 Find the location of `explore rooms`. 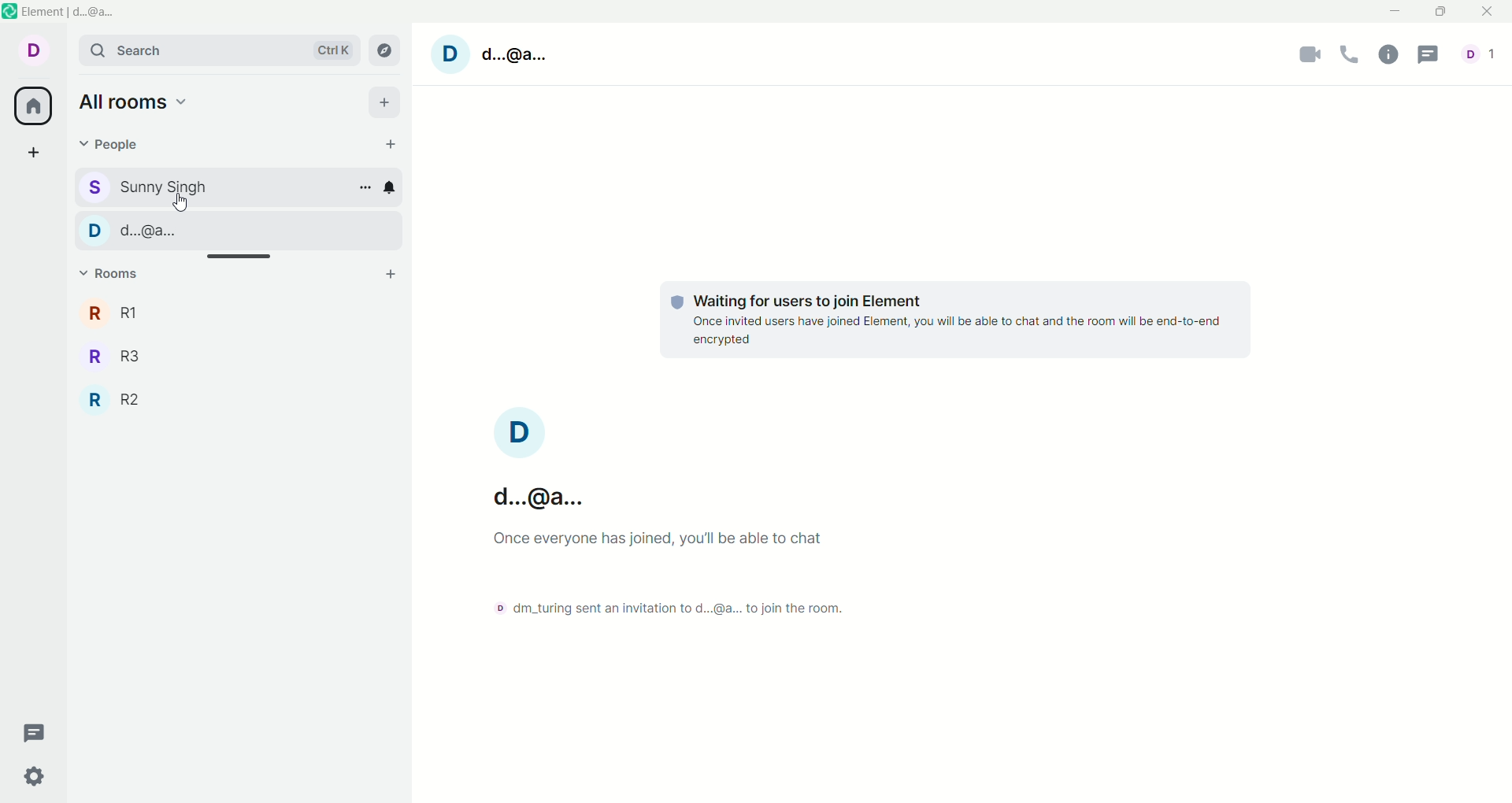

explore rooms is located at coordinates (389, 51).